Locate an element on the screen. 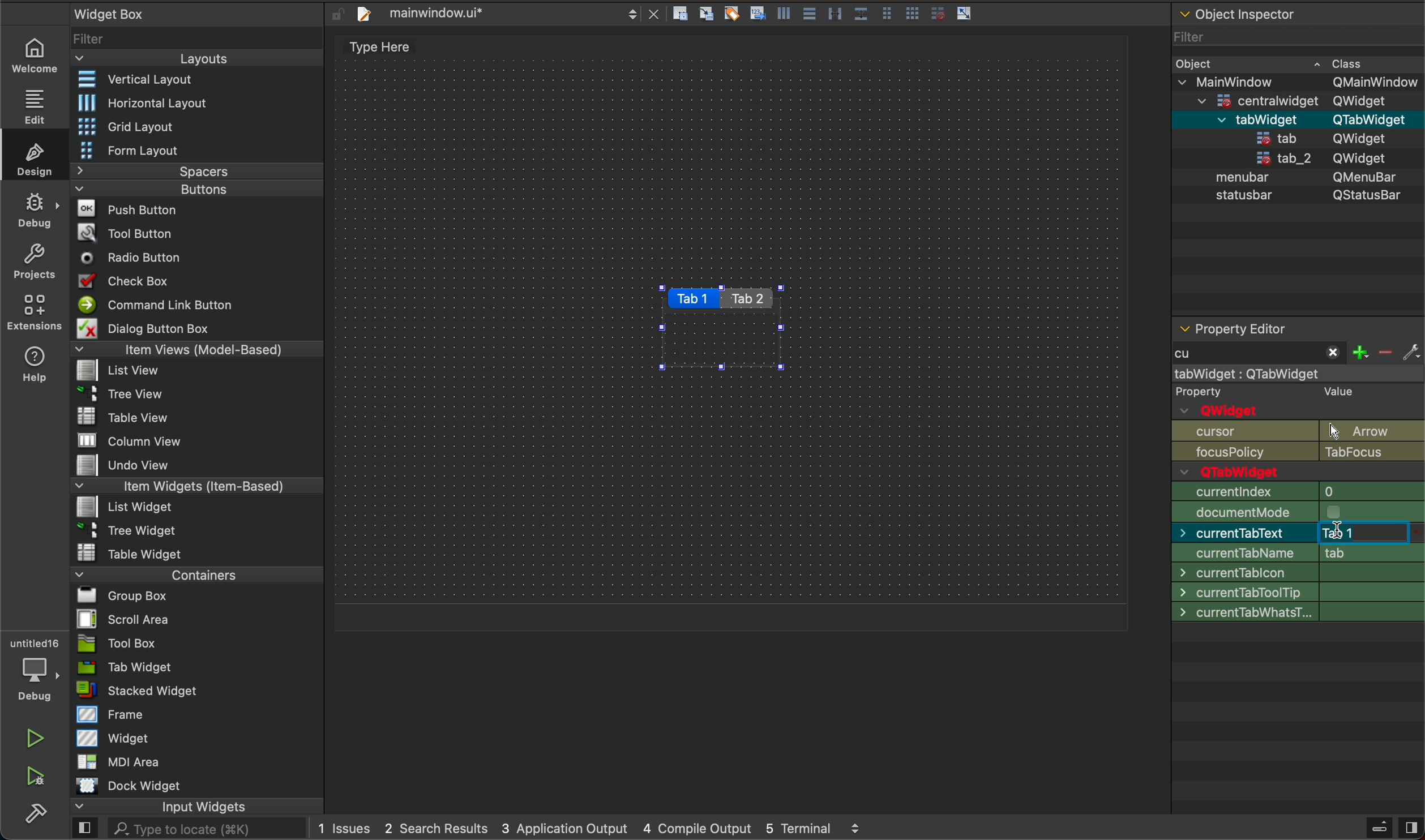 This screenshot has width=1425, height=840. debug is located at coordinates (35, 209).